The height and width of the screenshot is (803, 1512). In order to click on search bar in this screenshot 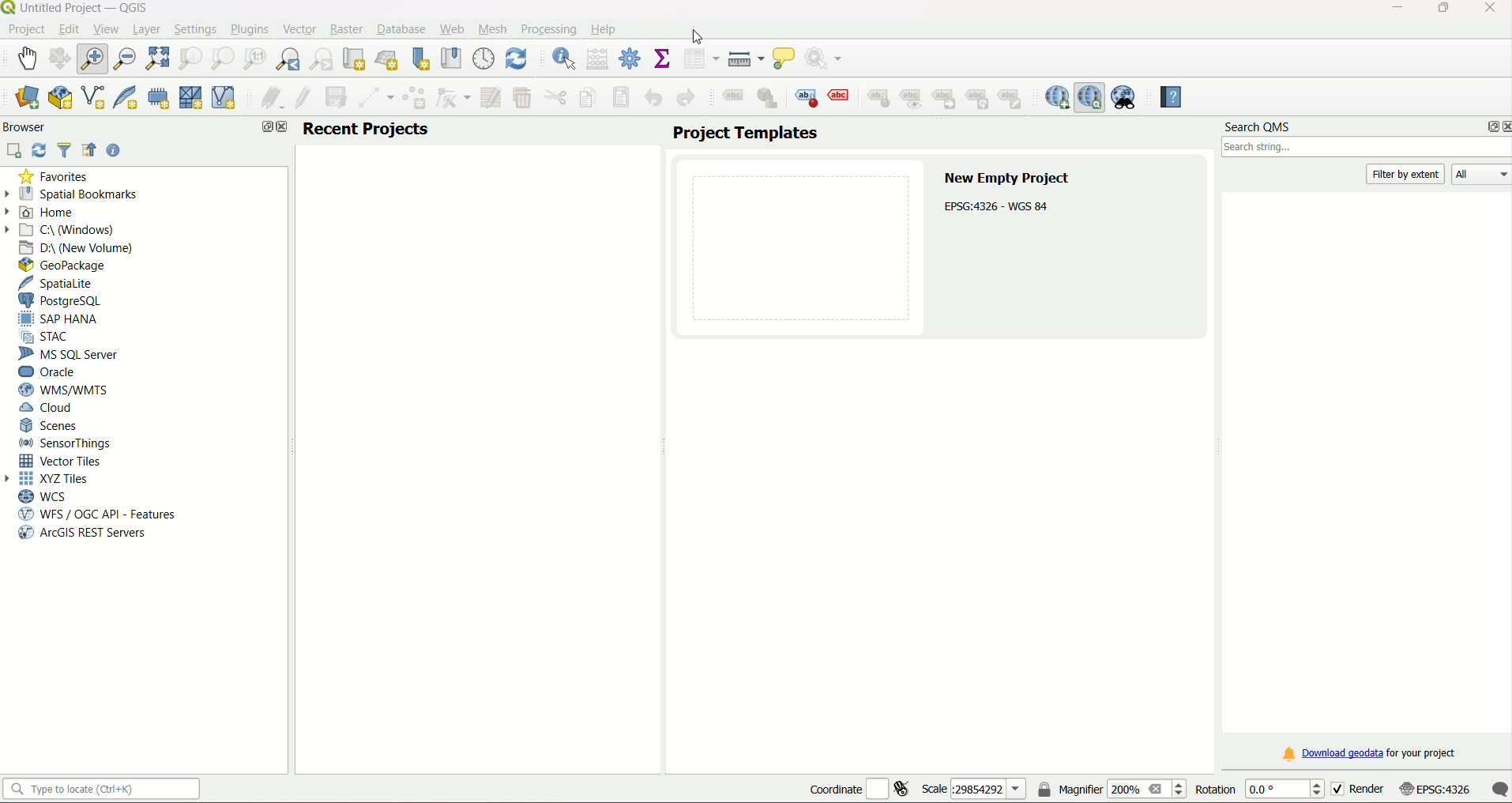, I will do `click(105, 790)`.